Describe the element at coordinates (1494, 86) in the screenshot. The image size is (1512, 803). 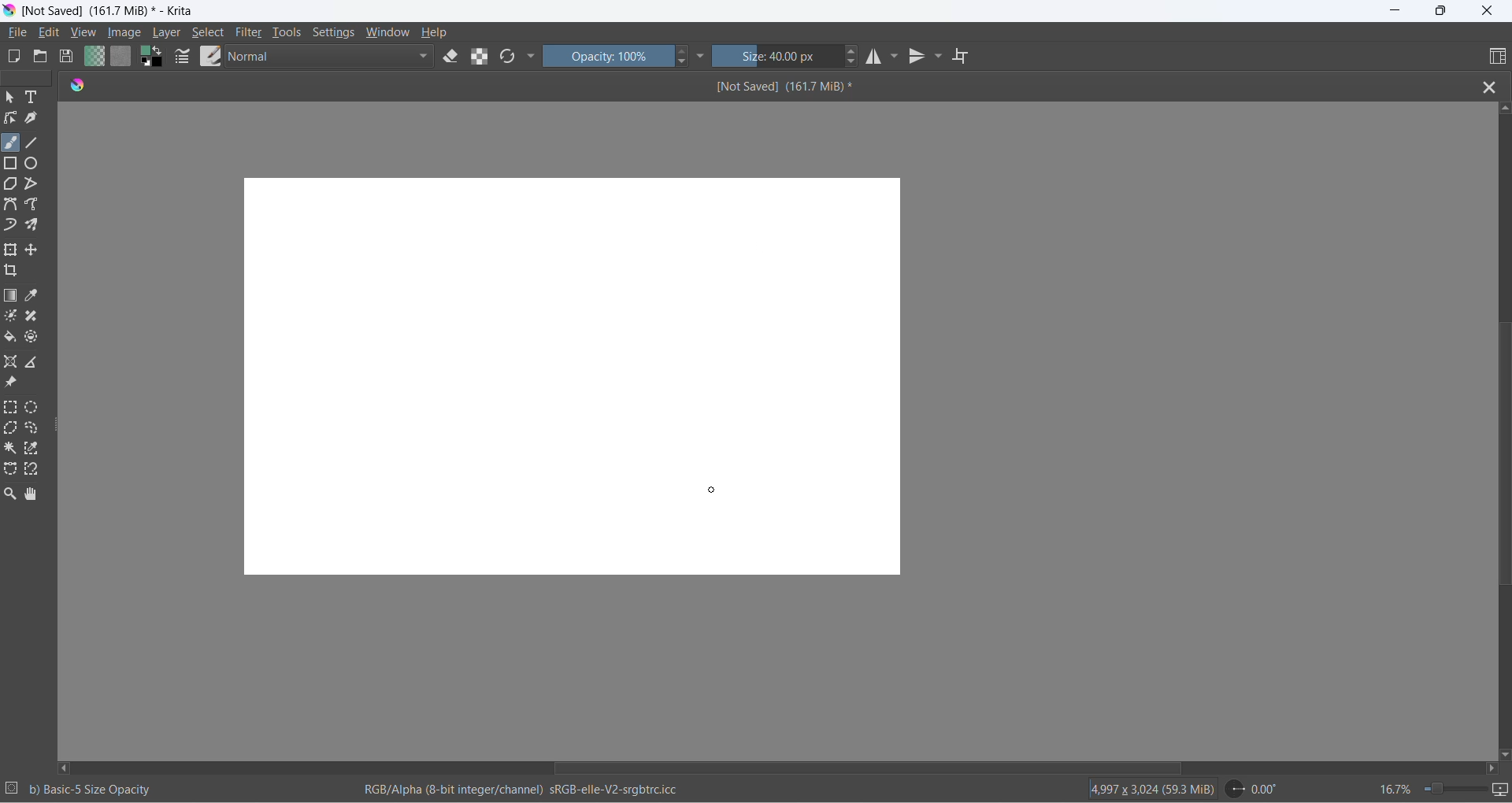
I see `close file` at that location.